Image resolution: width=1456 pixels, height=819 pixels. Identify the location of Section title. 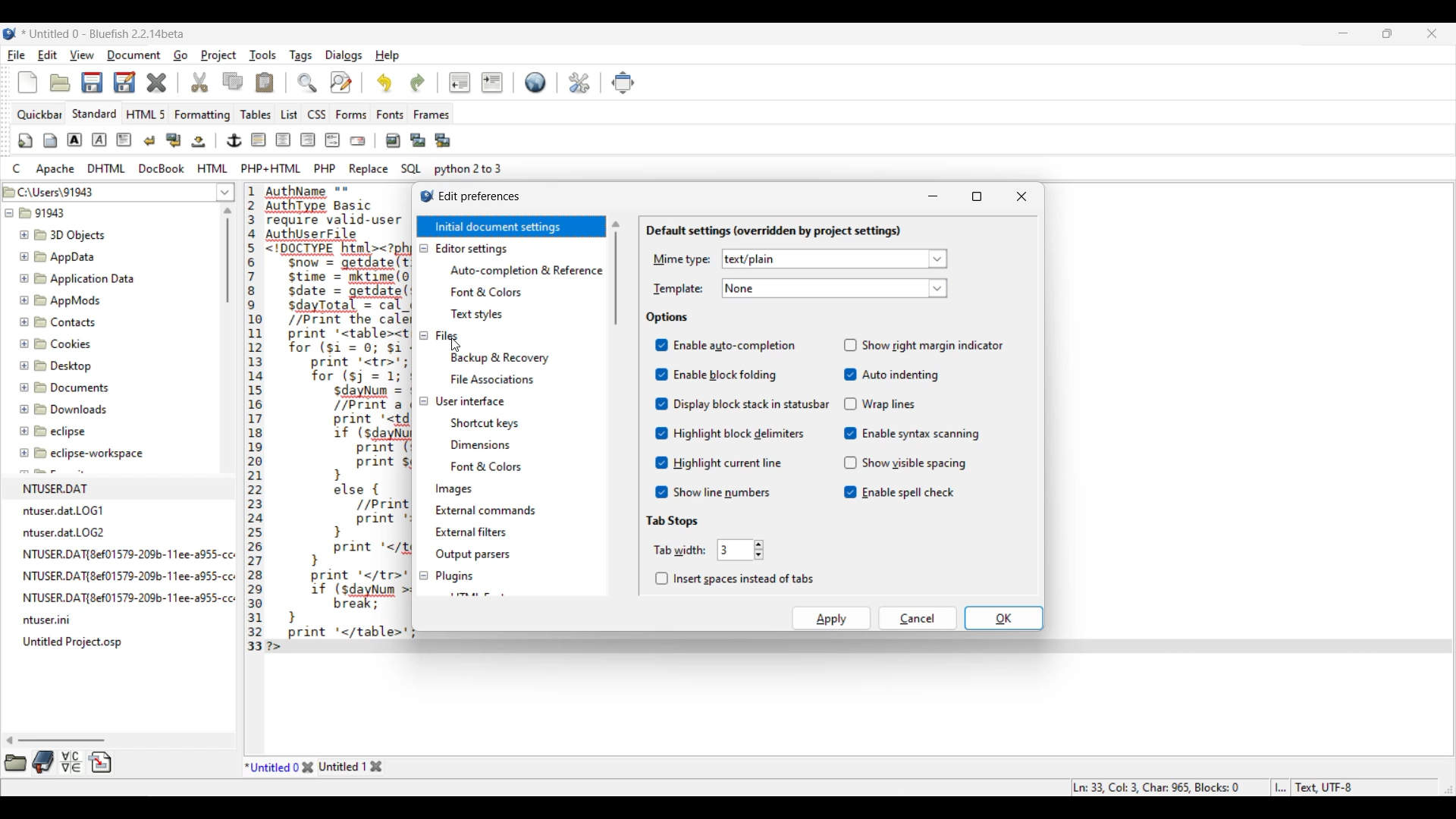
(773, 231).